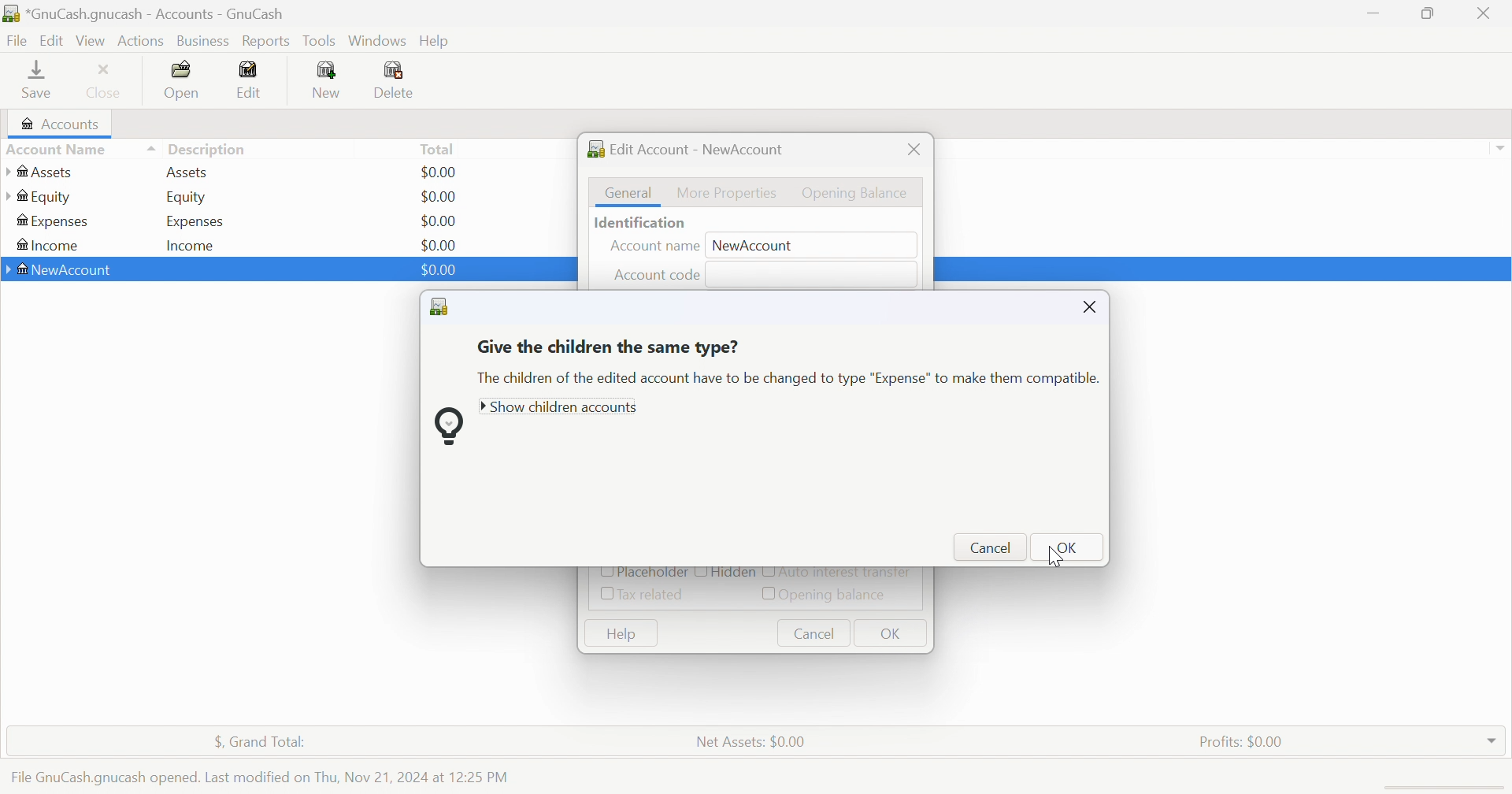 This screenshot has width=1512, height=794. I want to click on $, Grand Total:, so click(269, 743).